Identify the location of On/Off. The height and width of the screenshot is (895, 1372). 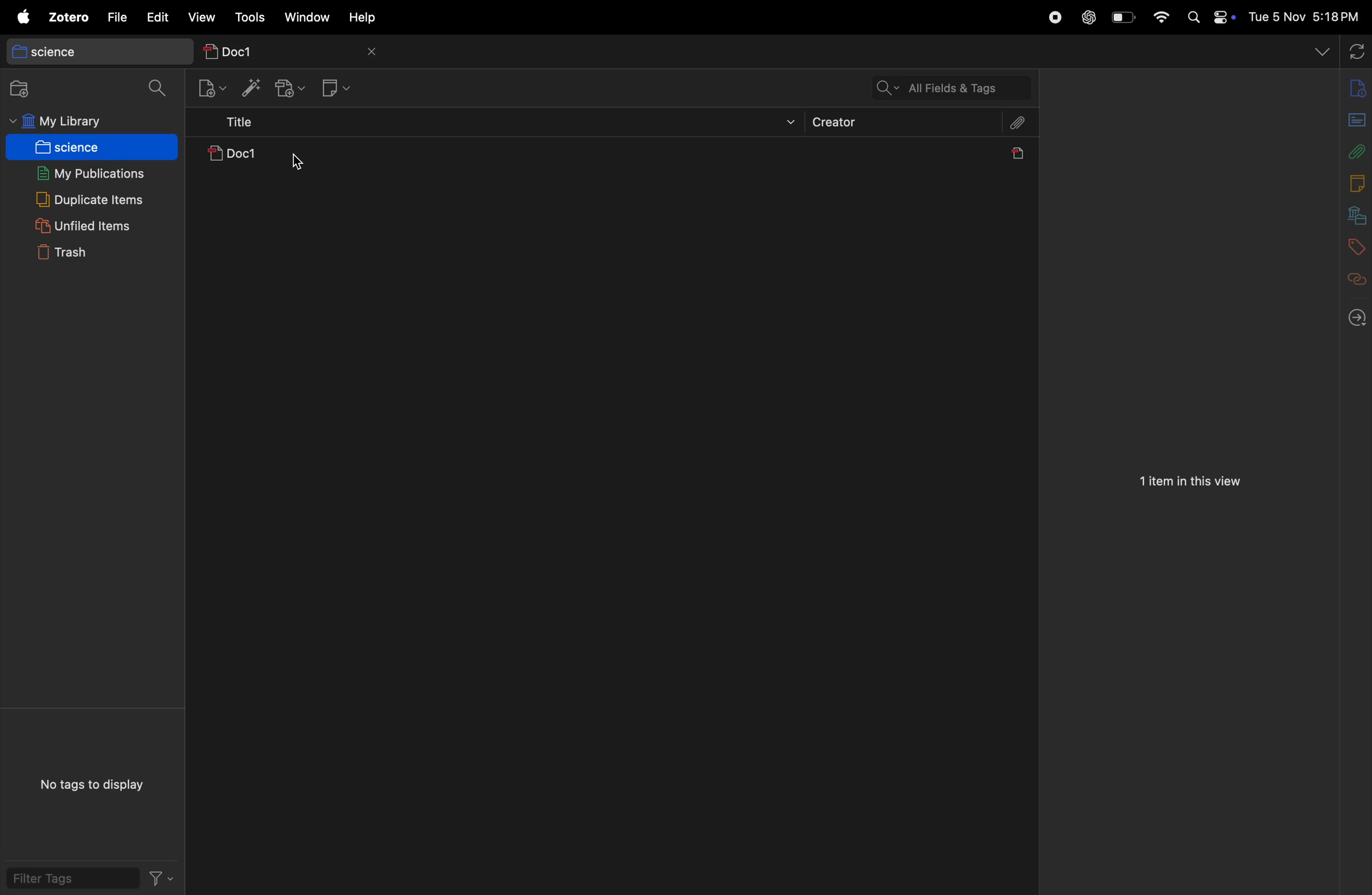
(1222, 18).